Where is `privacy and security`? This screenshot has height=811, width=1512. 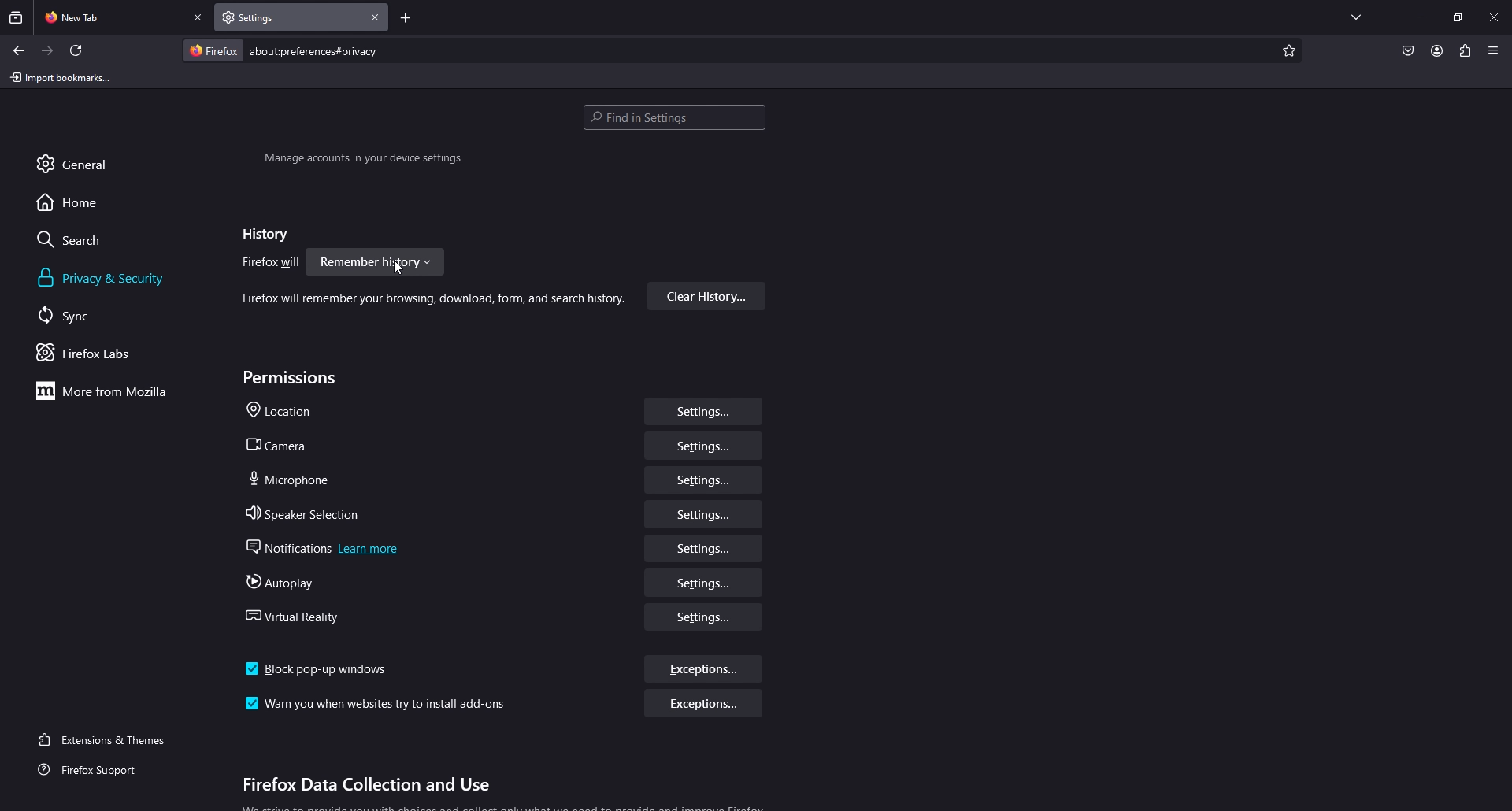
privacy and security is located at coordinates (105, 278).